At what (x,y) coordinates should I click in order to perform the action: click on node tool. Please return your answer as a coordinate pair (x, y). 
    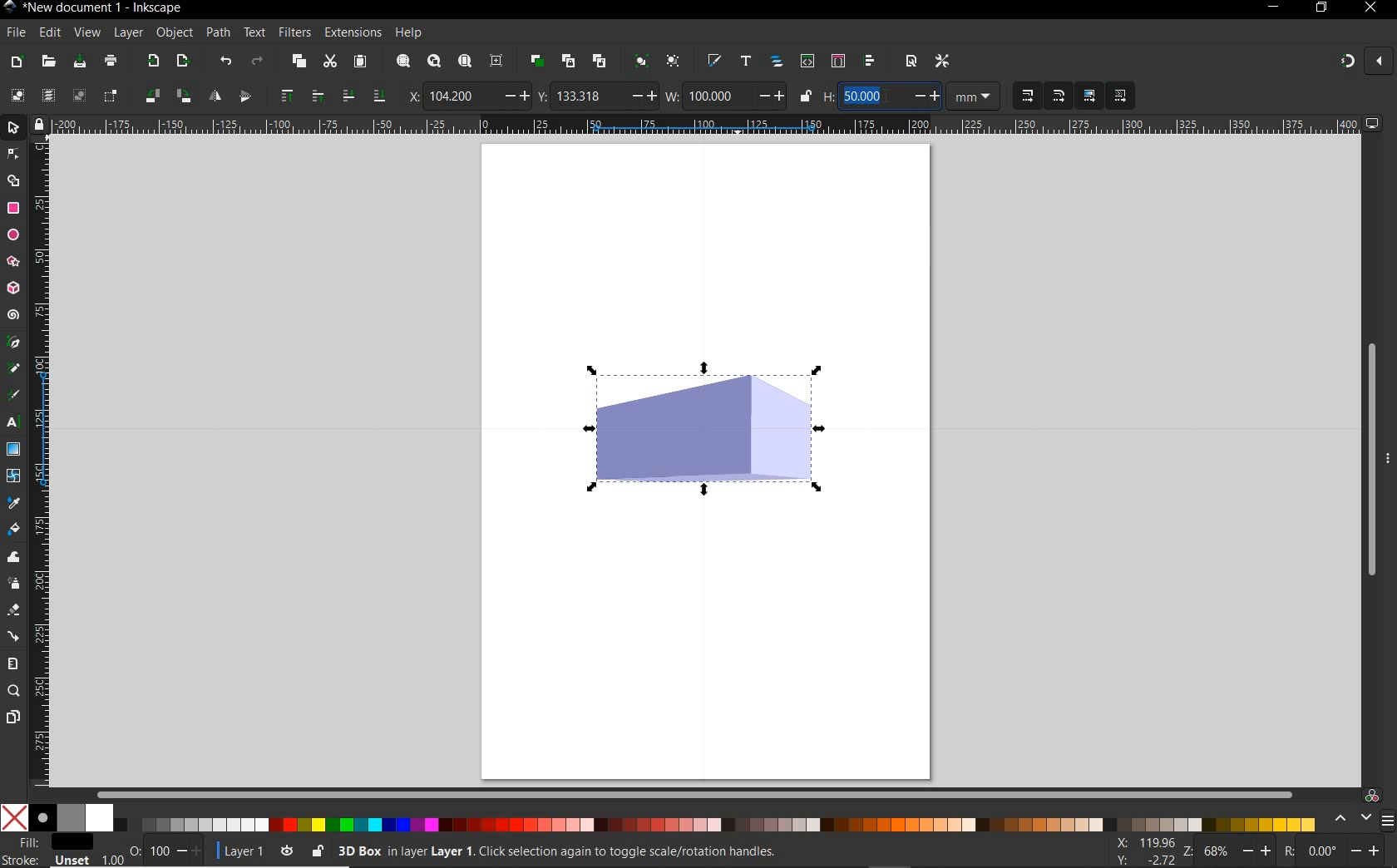
    Looking at the image, I should click on (13, 155).